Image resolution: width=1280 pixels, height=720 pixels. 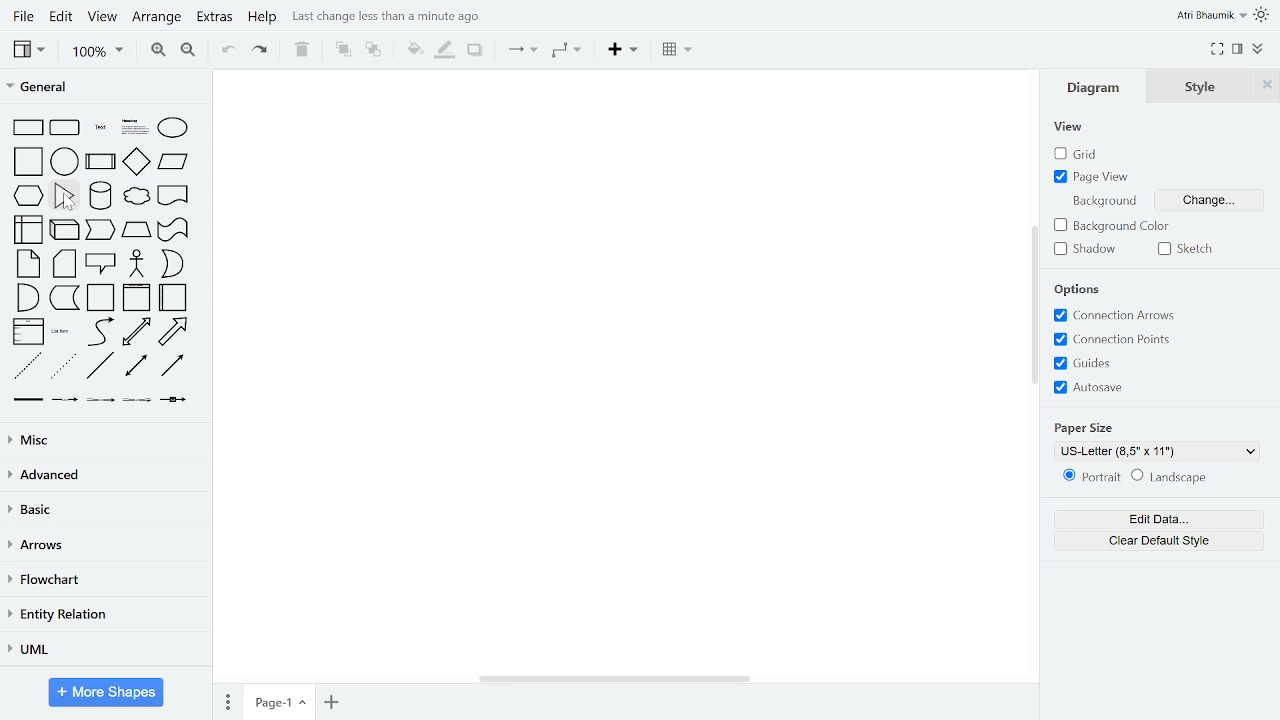 What do you see at coordinates (25, 128) in the screenshot?
I see `rectangle` at bounding box center [25, 128].